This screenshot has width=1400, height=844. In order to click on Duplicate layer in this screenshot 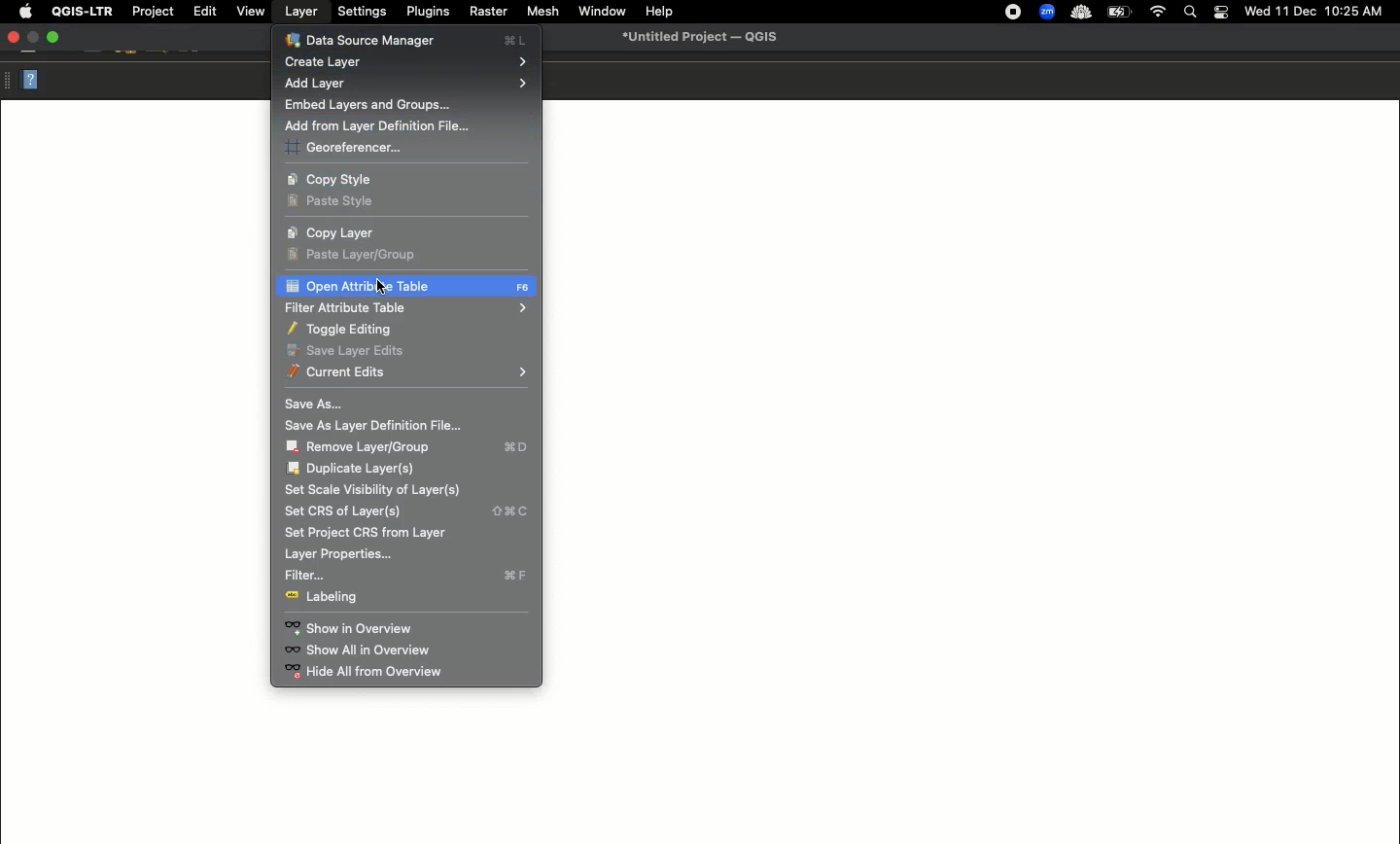, I will do `click(354, 469)`.